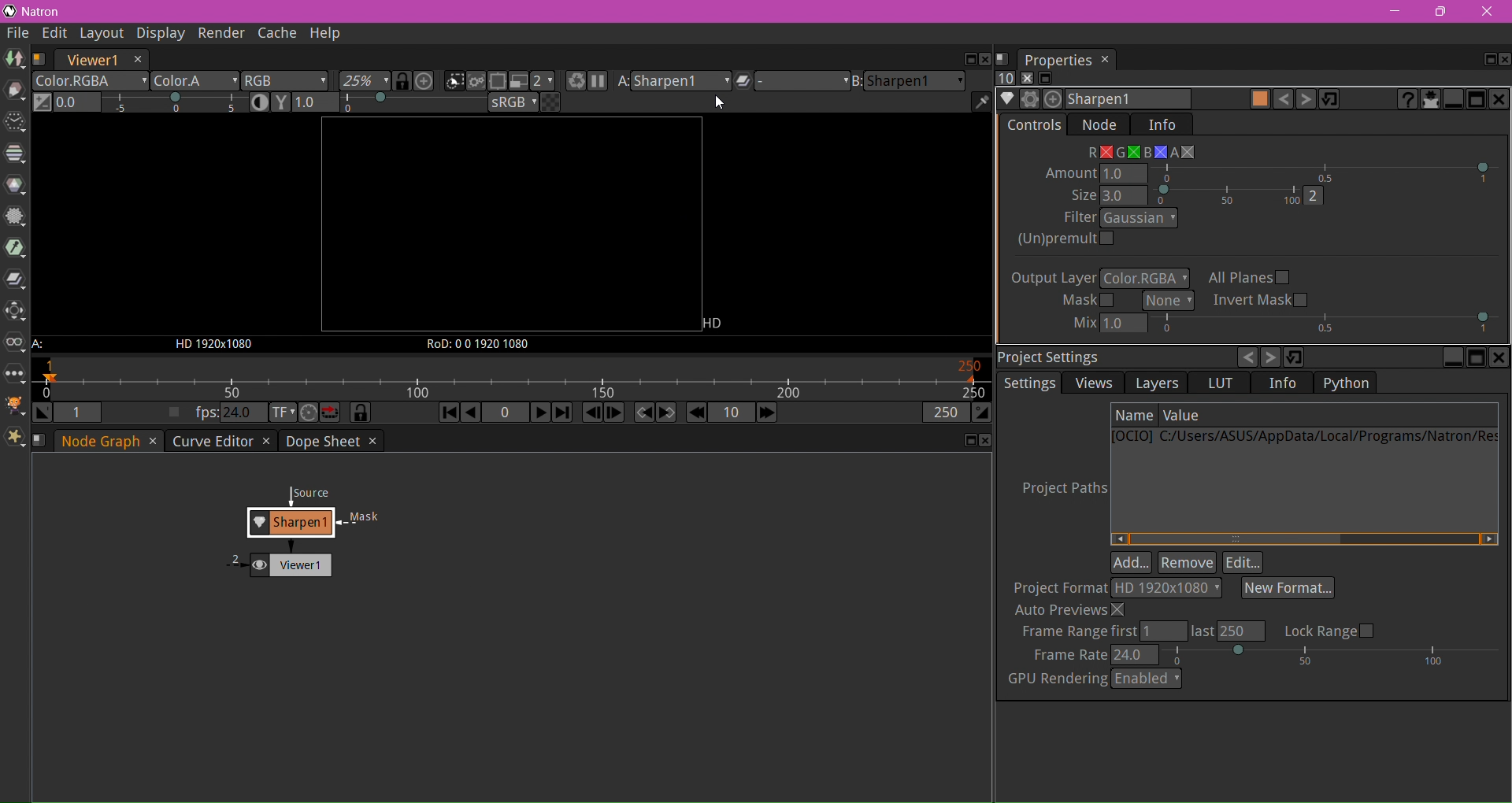 Image resolution: width=1512 pixels, height=803 pixels. Describe the element at coordinates (696, 413) in the screenshot. I see `Previous Increment` at that location.